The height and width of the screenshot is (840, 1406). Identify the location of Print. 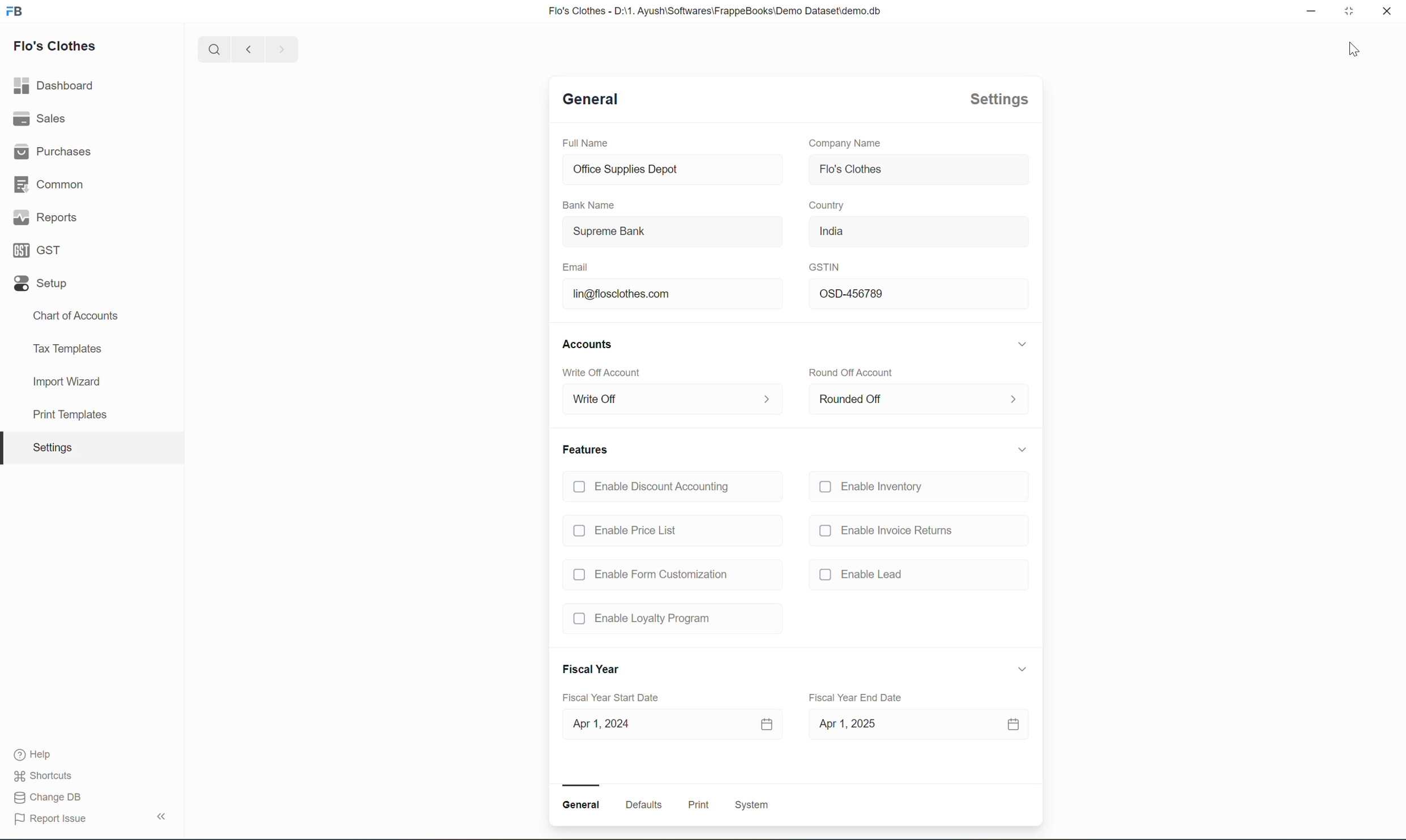
(699, 804).